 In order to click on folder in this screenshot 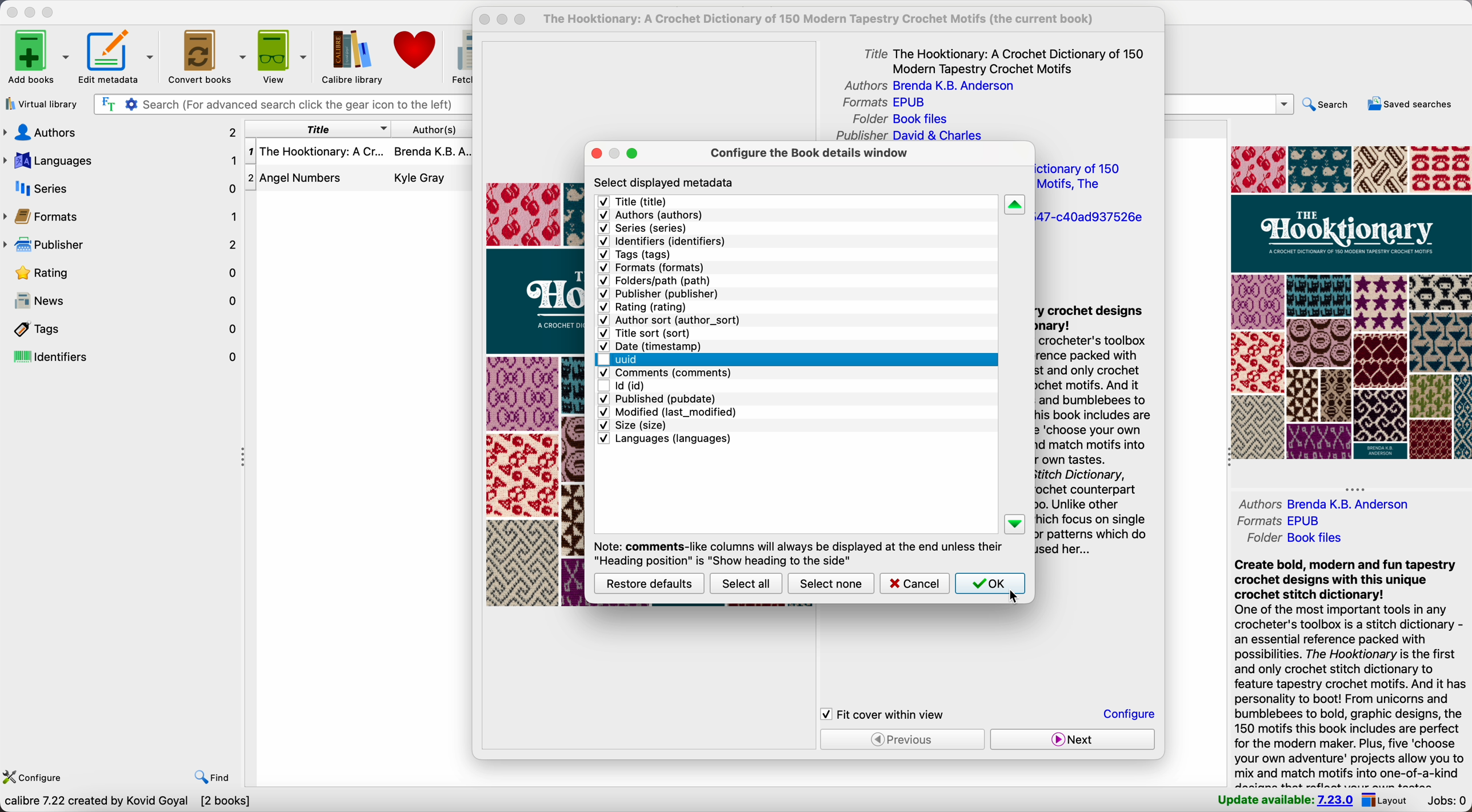, I will do `click(1299, 538)`.